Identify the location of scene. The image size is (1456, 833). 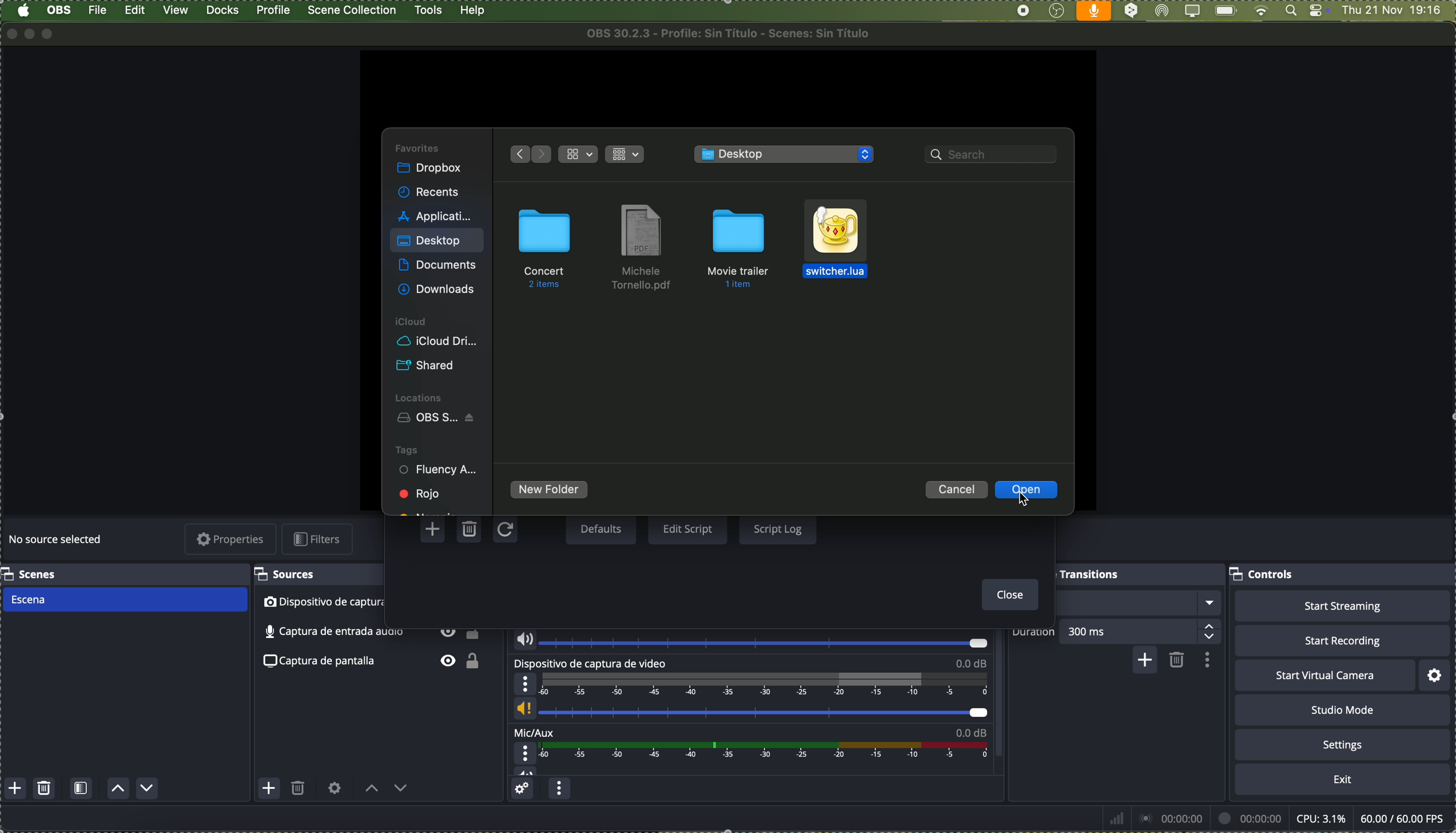
(124, 600).